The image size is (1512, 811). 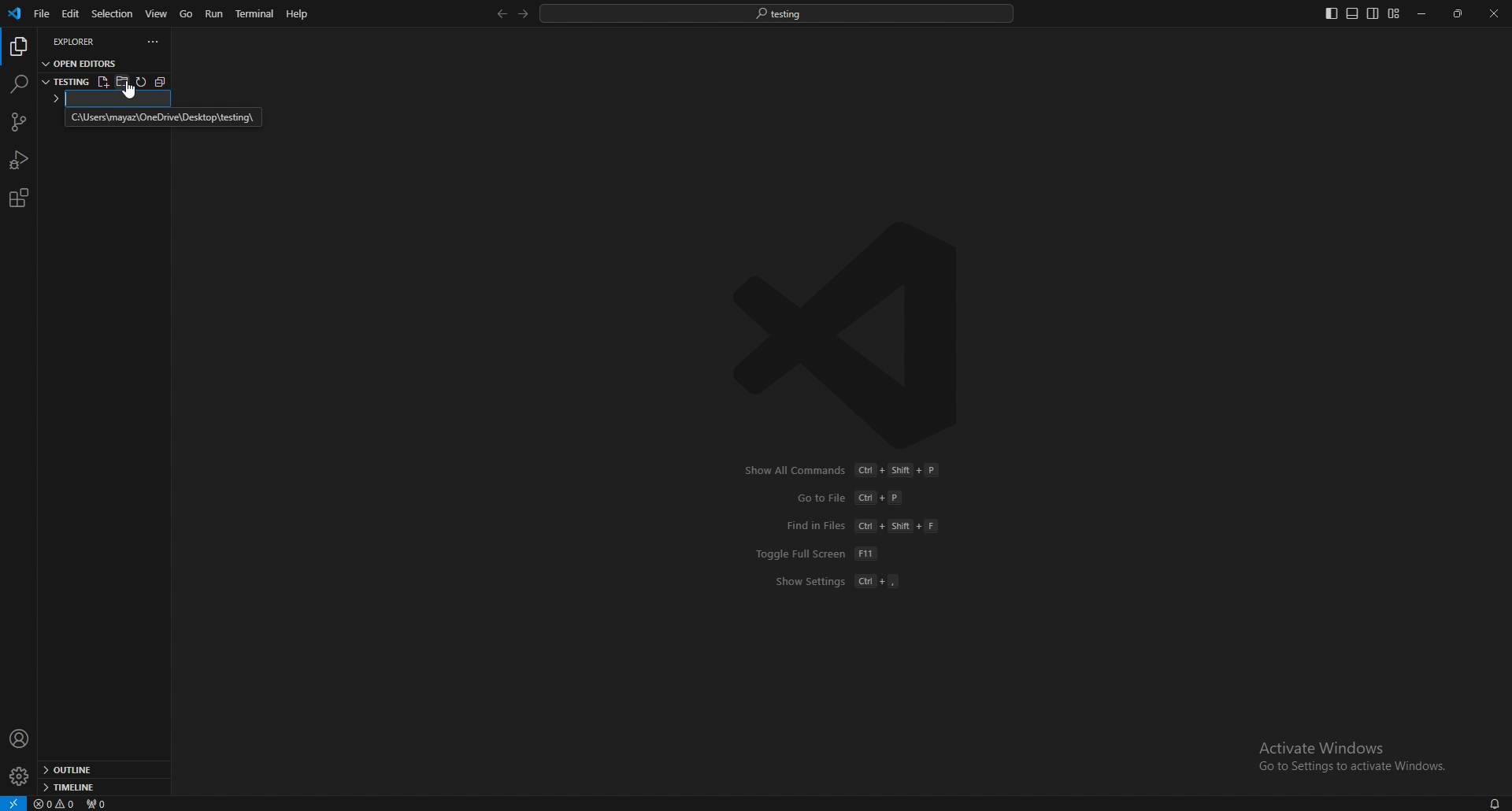 What do you see at coordinates (18, 47) in the screenshot?
I see `explorer` at bounding box center [18, 47].